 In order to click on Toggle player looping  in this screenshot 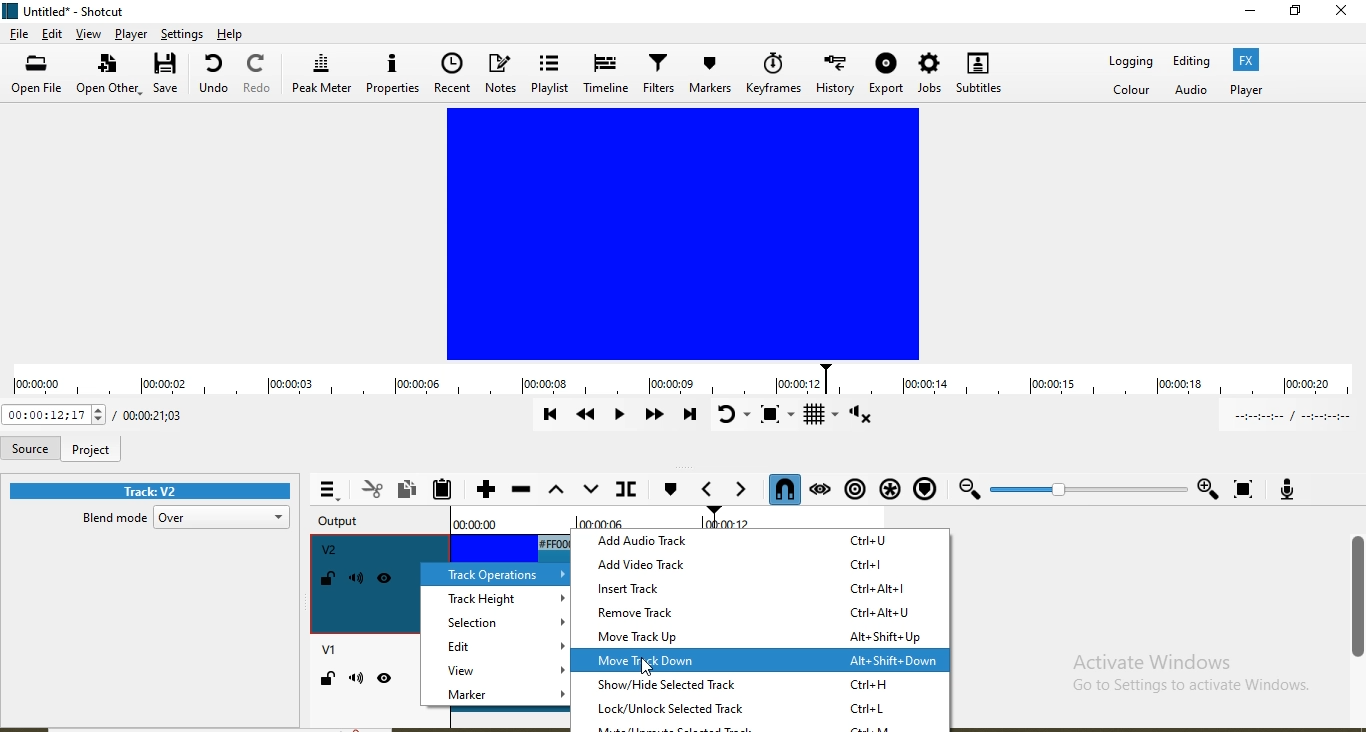, I will do `click(733, 417)`.